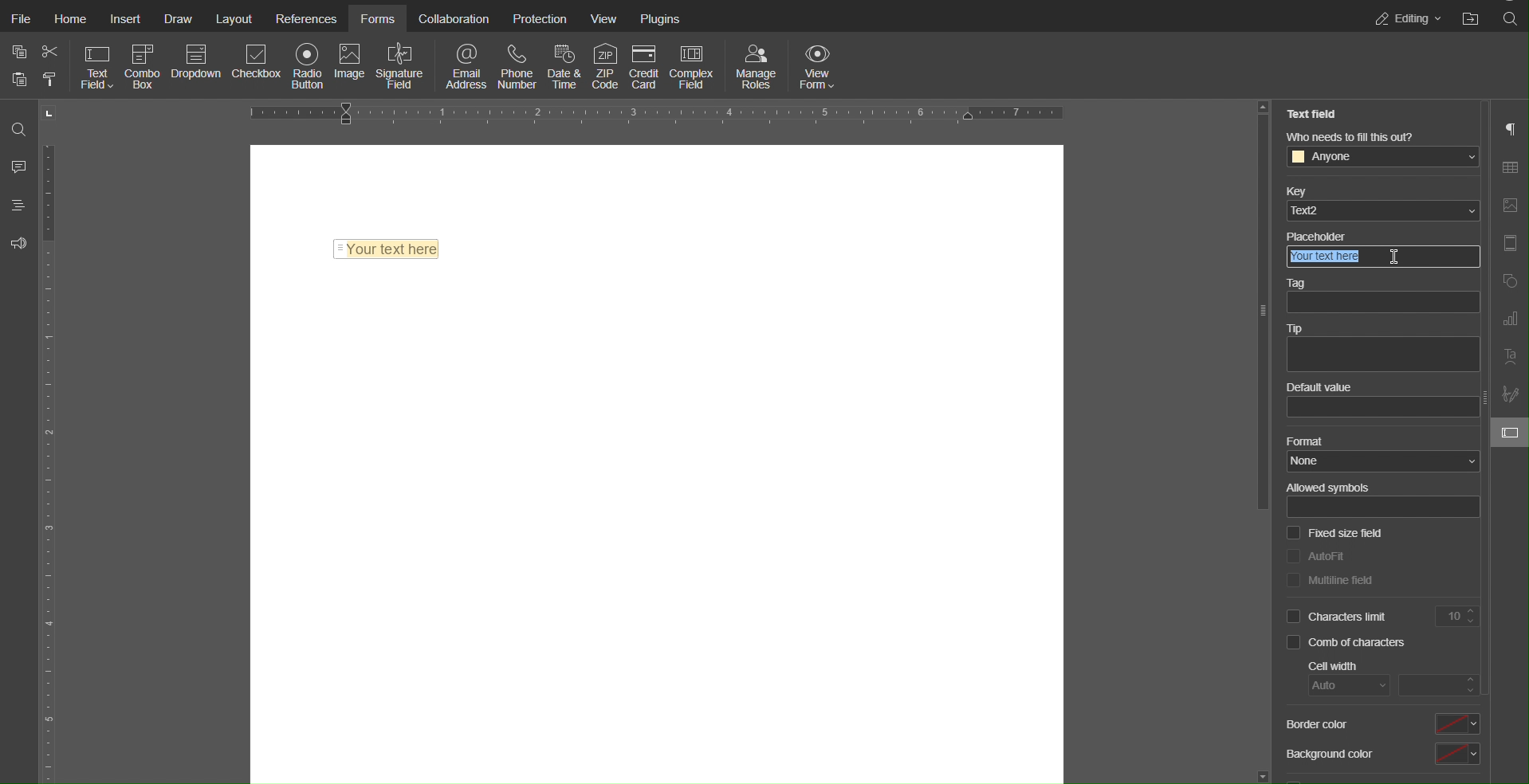 This screenshot has width=1529, height=784. Describe the element at coordinates (1382, 347) in the screenshot. I see `Tip` at that location.